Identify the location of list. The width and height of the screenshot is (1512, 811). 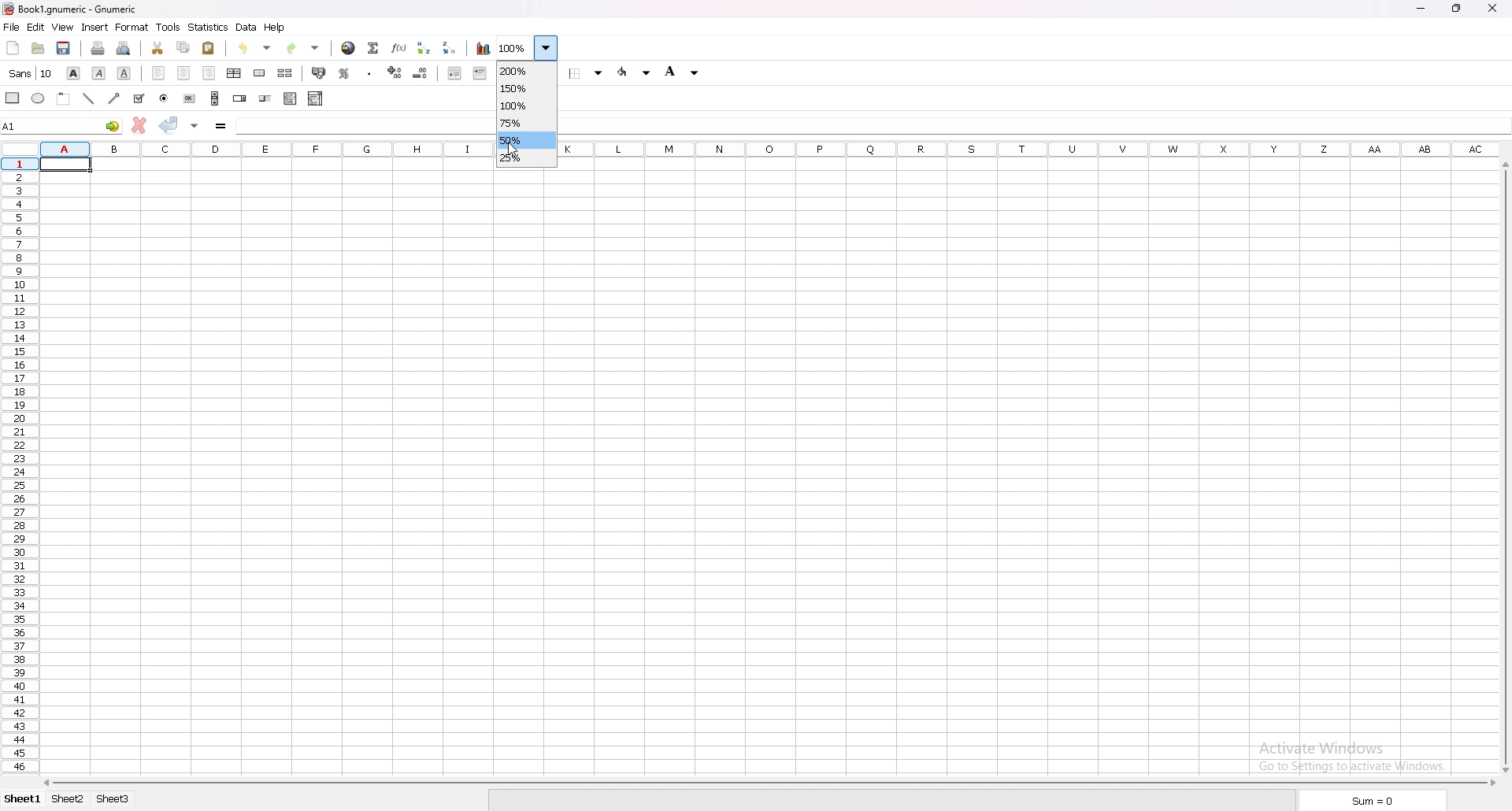
(291, 98).